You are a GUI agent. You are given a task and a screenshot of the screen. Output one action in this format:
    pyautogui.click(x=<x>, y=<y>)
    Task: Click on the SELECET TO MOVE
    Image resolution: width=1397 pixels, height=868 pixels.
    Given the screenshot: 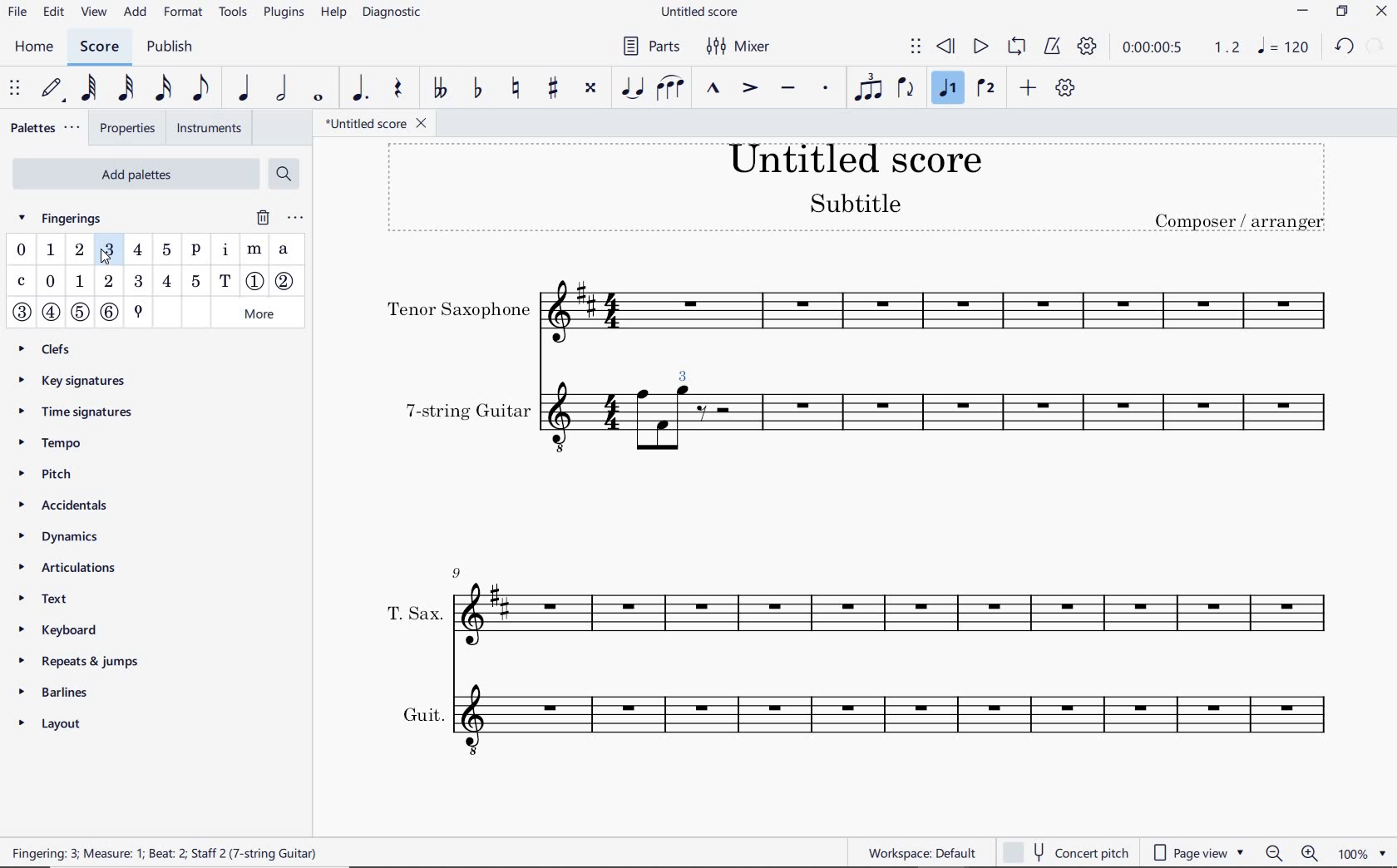 What is the action you would take?
    pyautogui.click(x=16, y=89)
    